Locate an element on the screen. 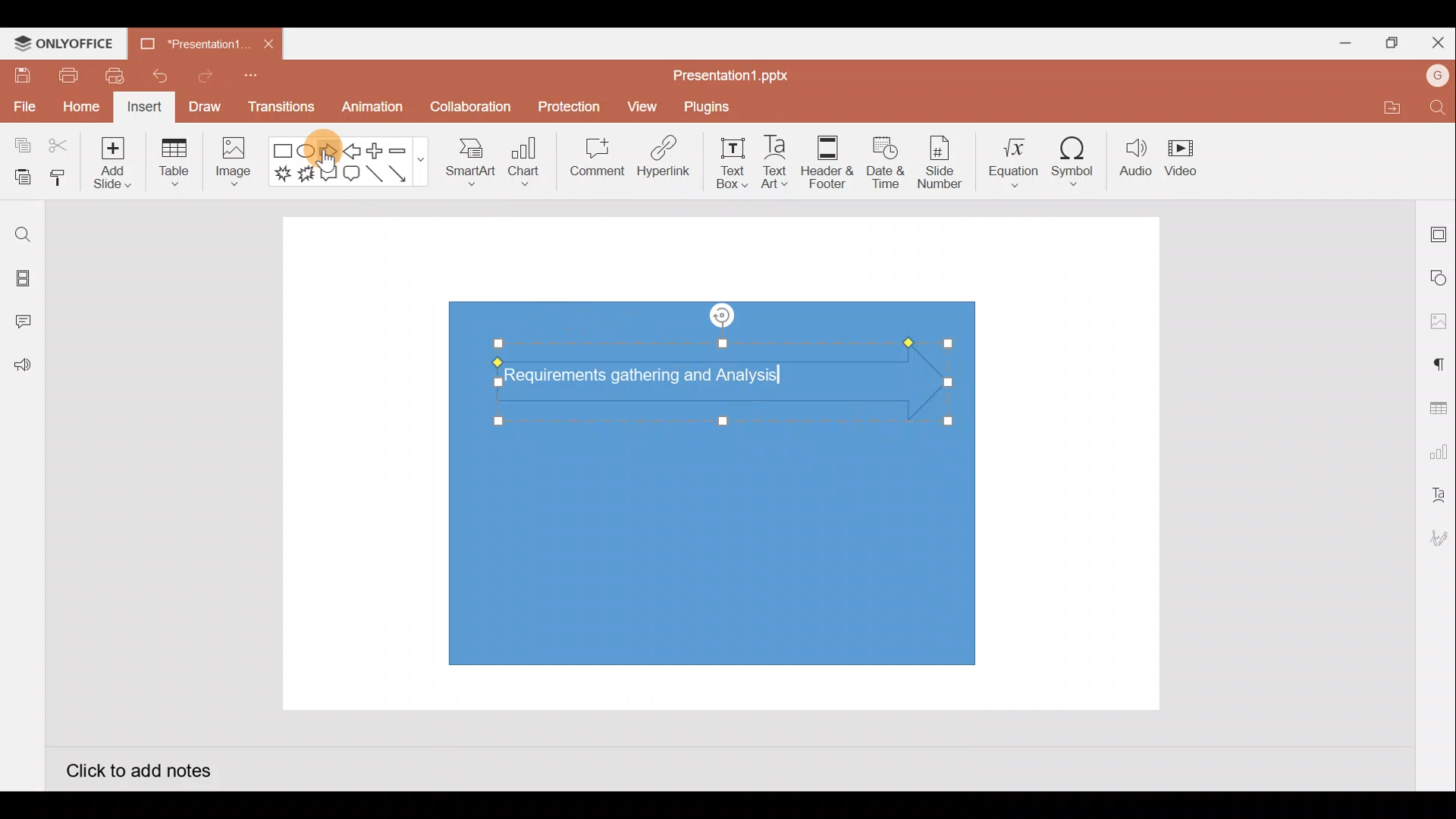 The width and height of the screenshot is (1456, 819). Signature settings is located at coordinates (1436, 540).